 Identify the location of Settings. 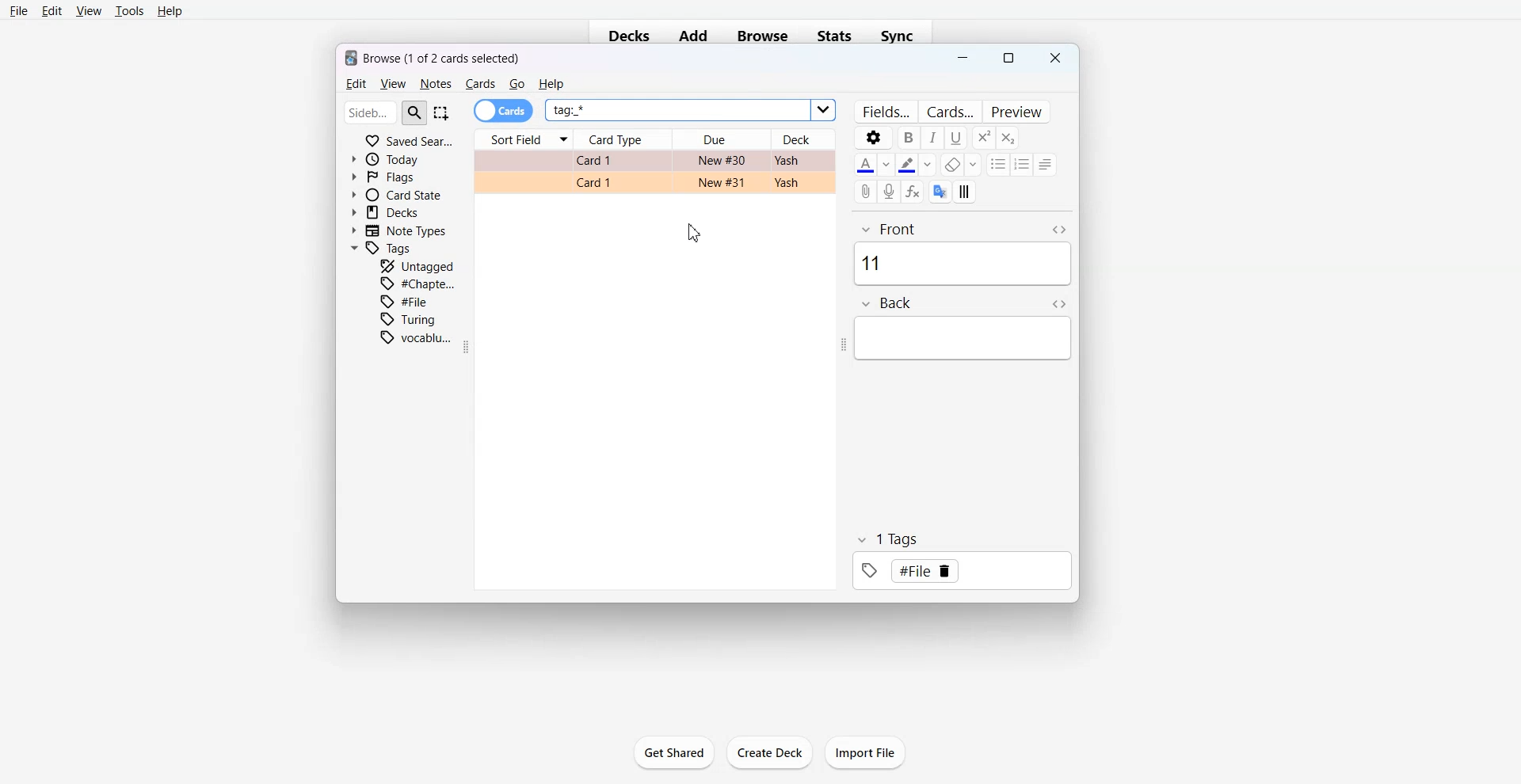
(872, 137).